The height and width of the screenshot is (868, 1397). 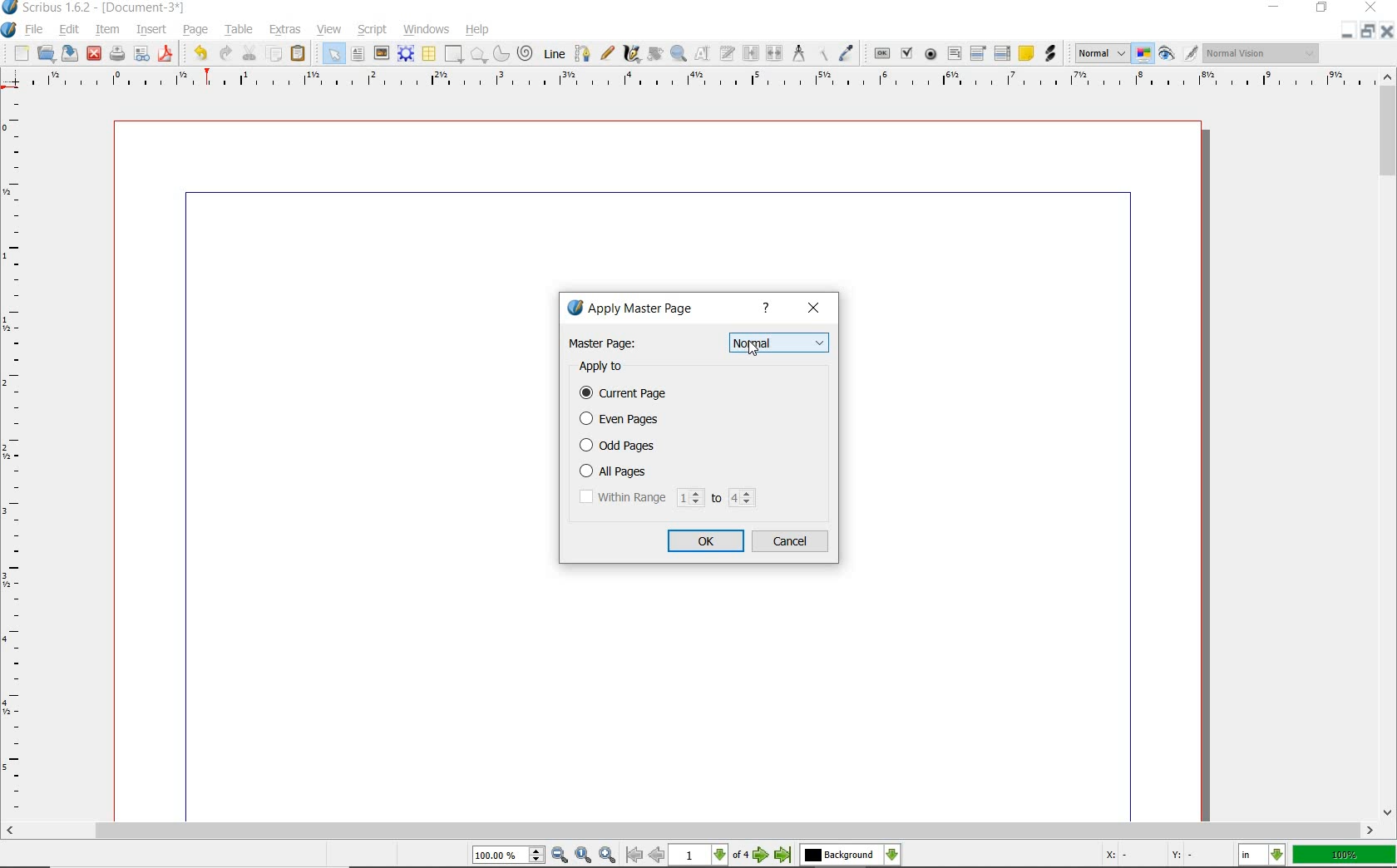 I want to click on new, so click(x=20, y=54).